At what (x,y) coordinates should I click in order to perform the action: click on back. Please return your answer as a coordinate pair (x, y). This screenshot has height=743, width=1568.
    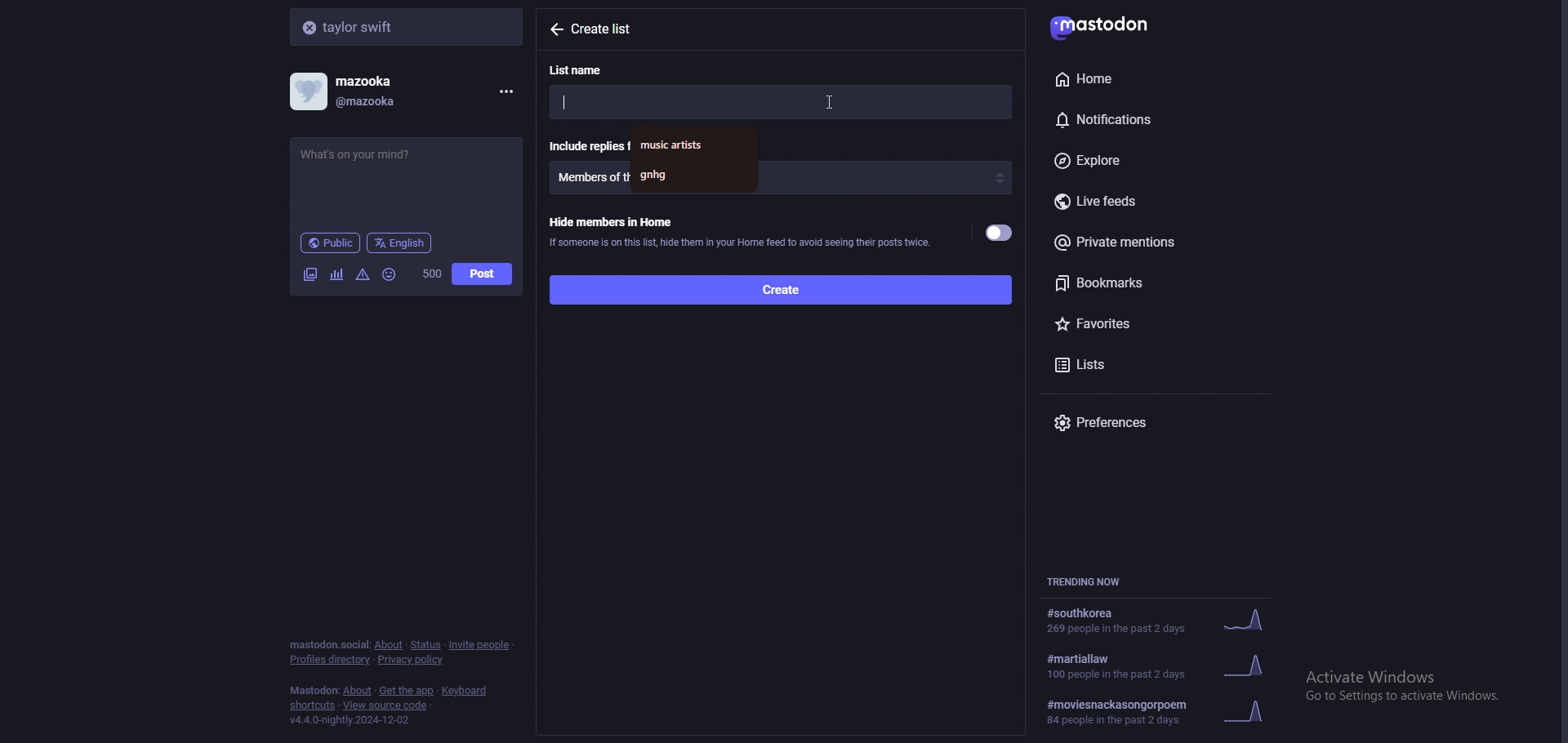
    Looking at the image, I should click on (555, 29).